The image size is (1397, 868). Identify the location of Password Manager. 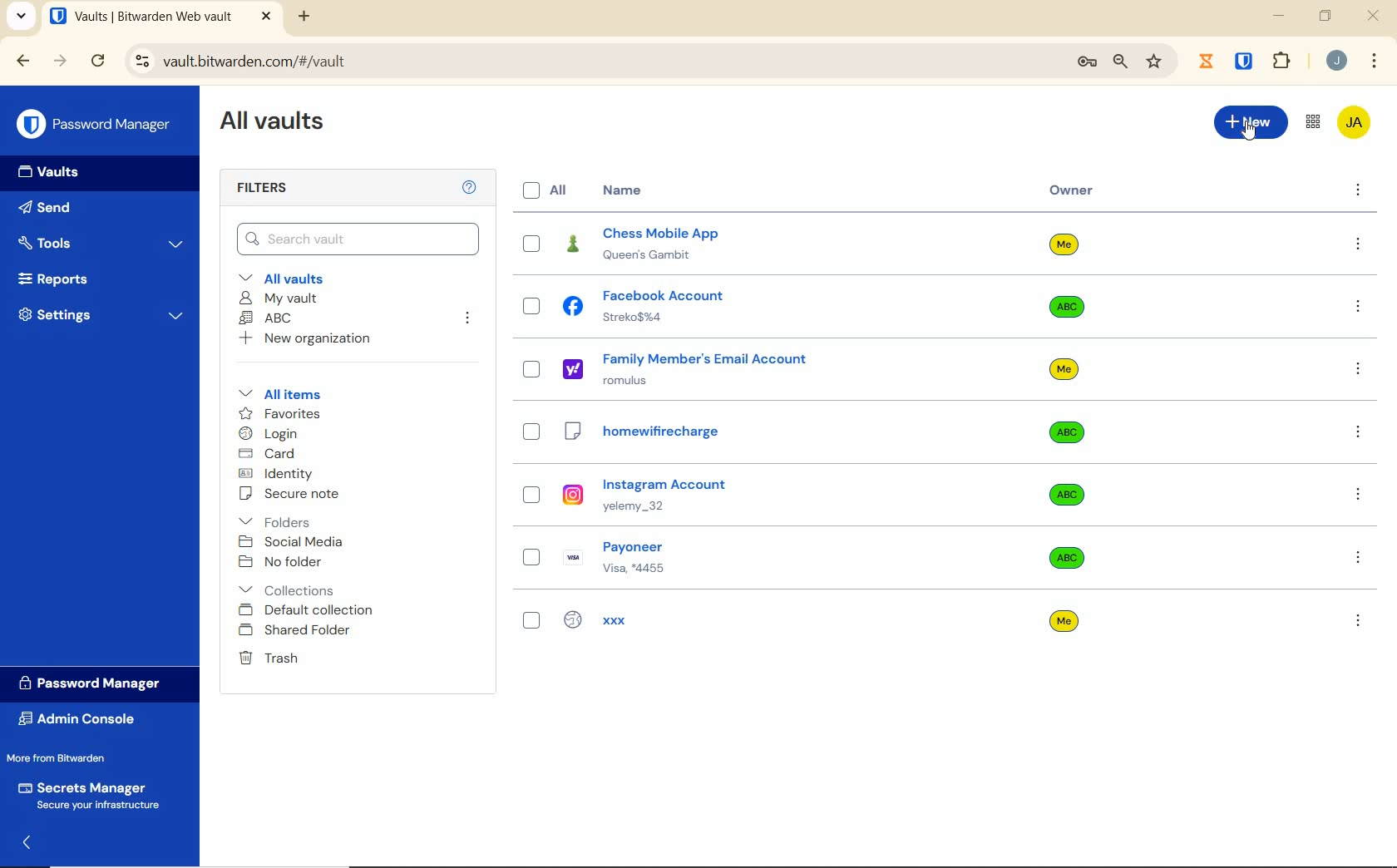
(96, 123).